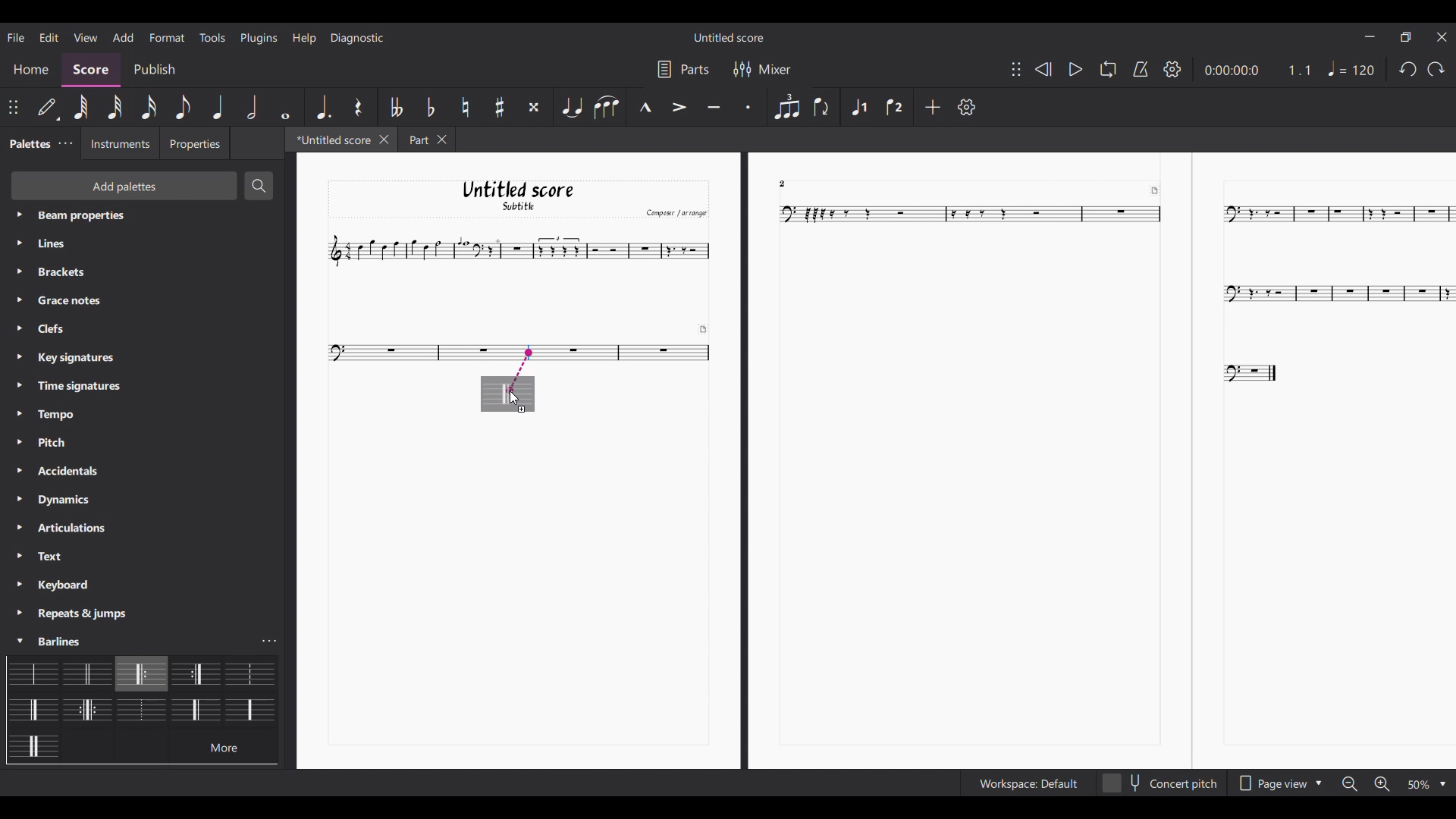 The image size is (1456, 819). What do you see at coordinates (714, 108) in the screenshot?
I see `Tenuto` at bounding box center [714, 108].